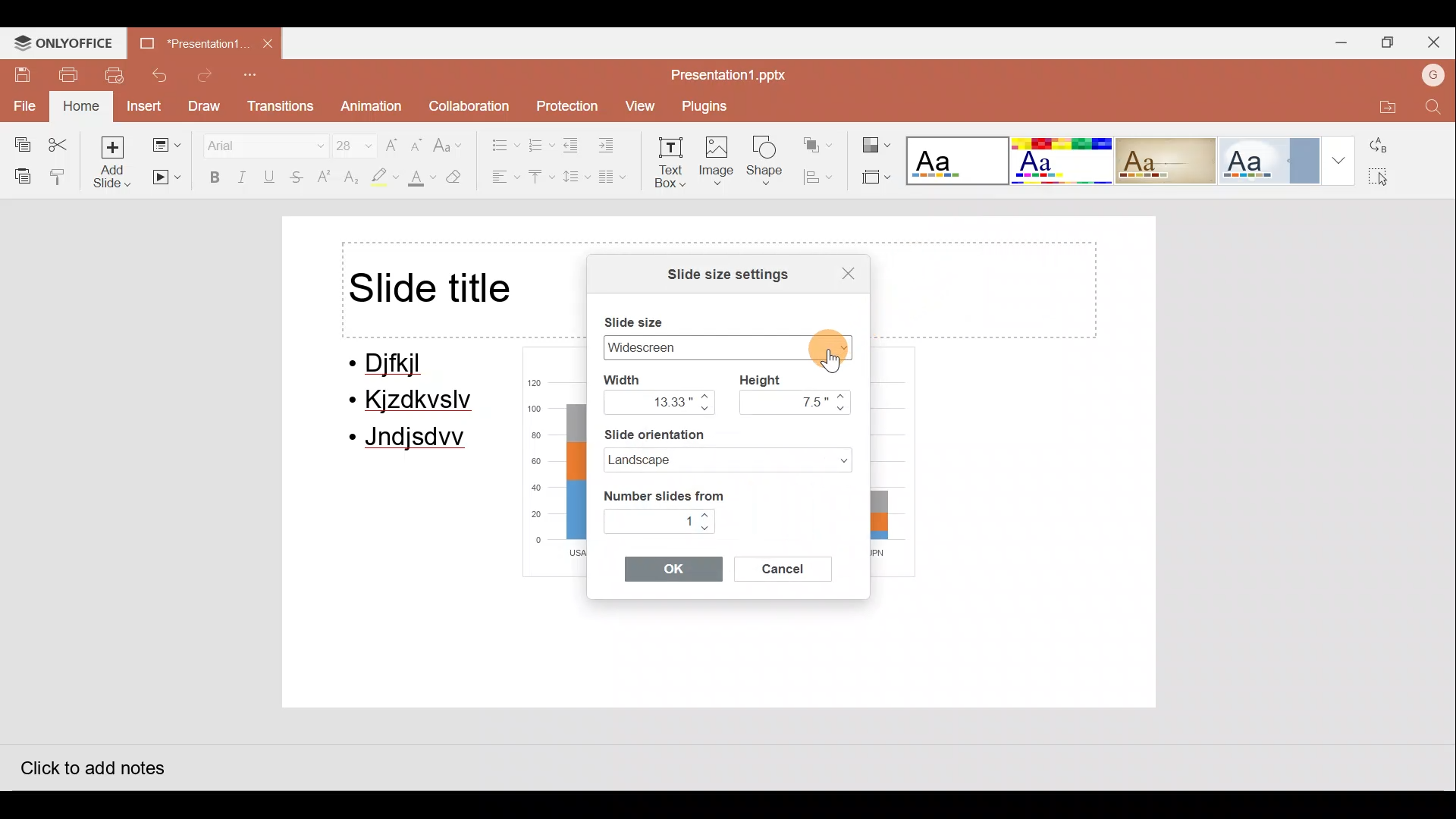 The height and width of the screenshot is (819, 1456). What do you see at coordinates (65, 42) in the screenshot?
I see `ONLYOFFICE` at bounding box center [65, 42].